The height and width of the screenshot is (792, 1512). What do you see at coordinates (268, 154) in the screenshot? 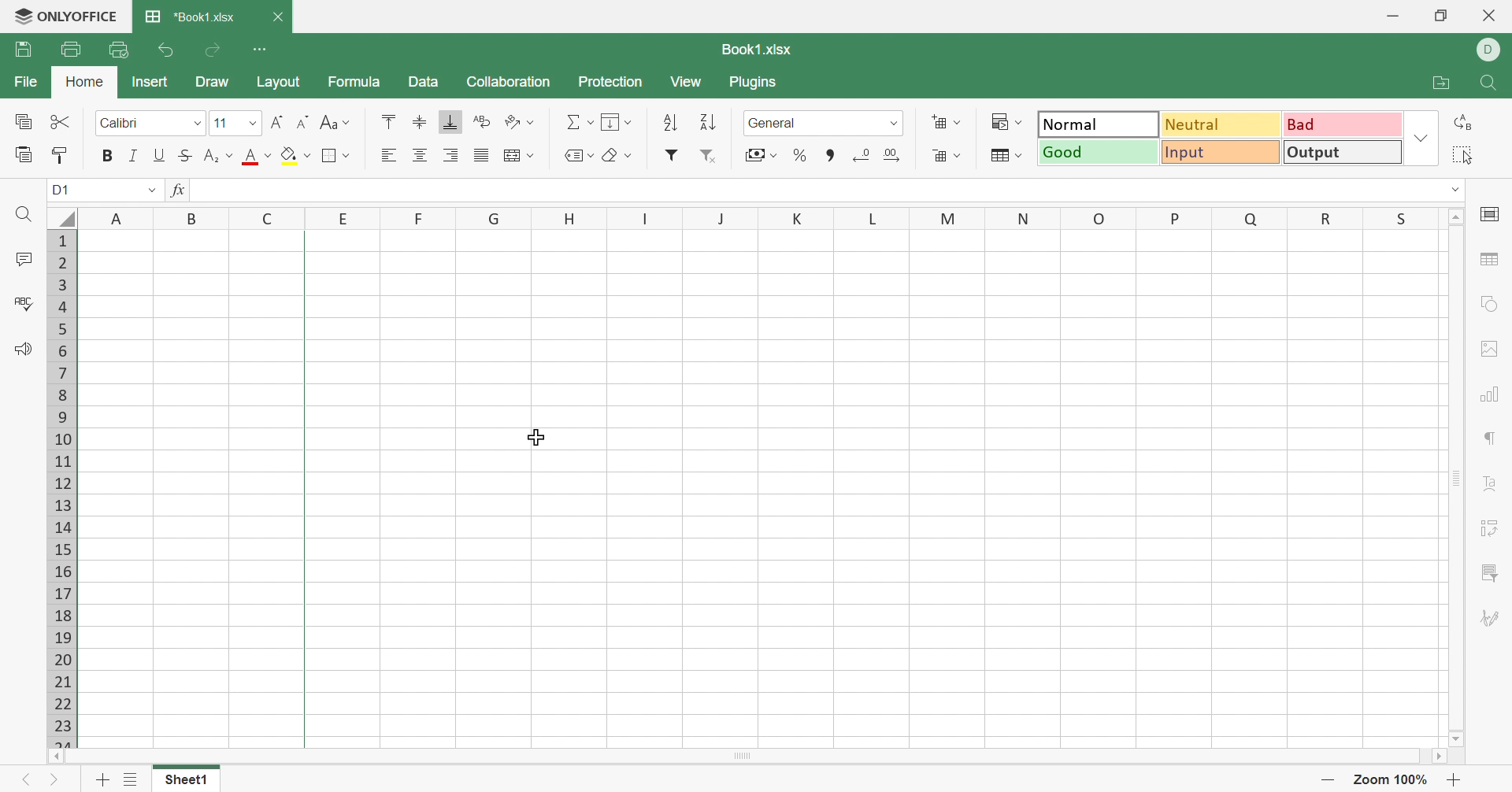
I see `Drop Down` at bounding box center [268, 154].